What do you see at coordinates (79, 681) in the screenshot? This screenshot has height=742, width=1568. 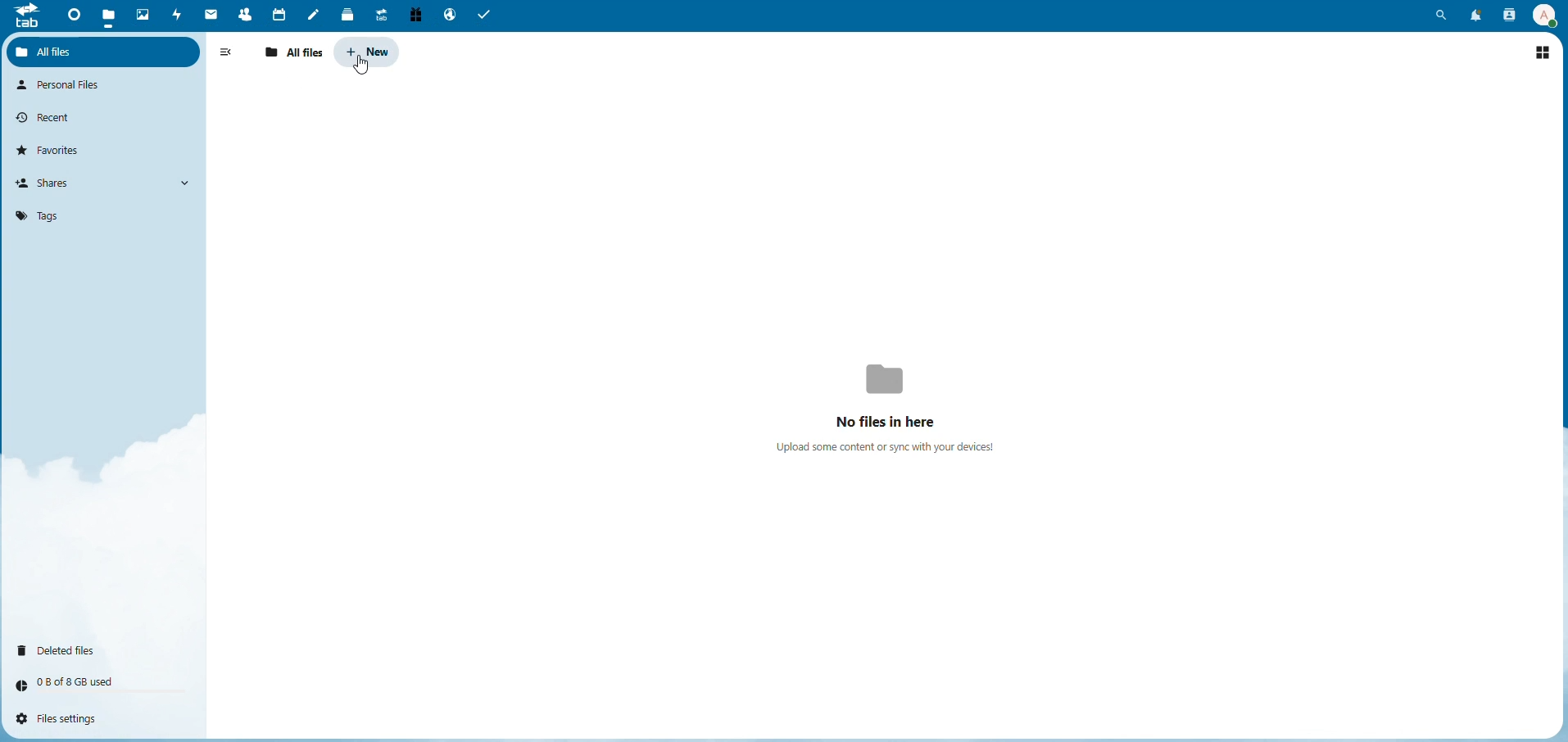 I see `Storage of gb used` at bounding box center [79, 681].